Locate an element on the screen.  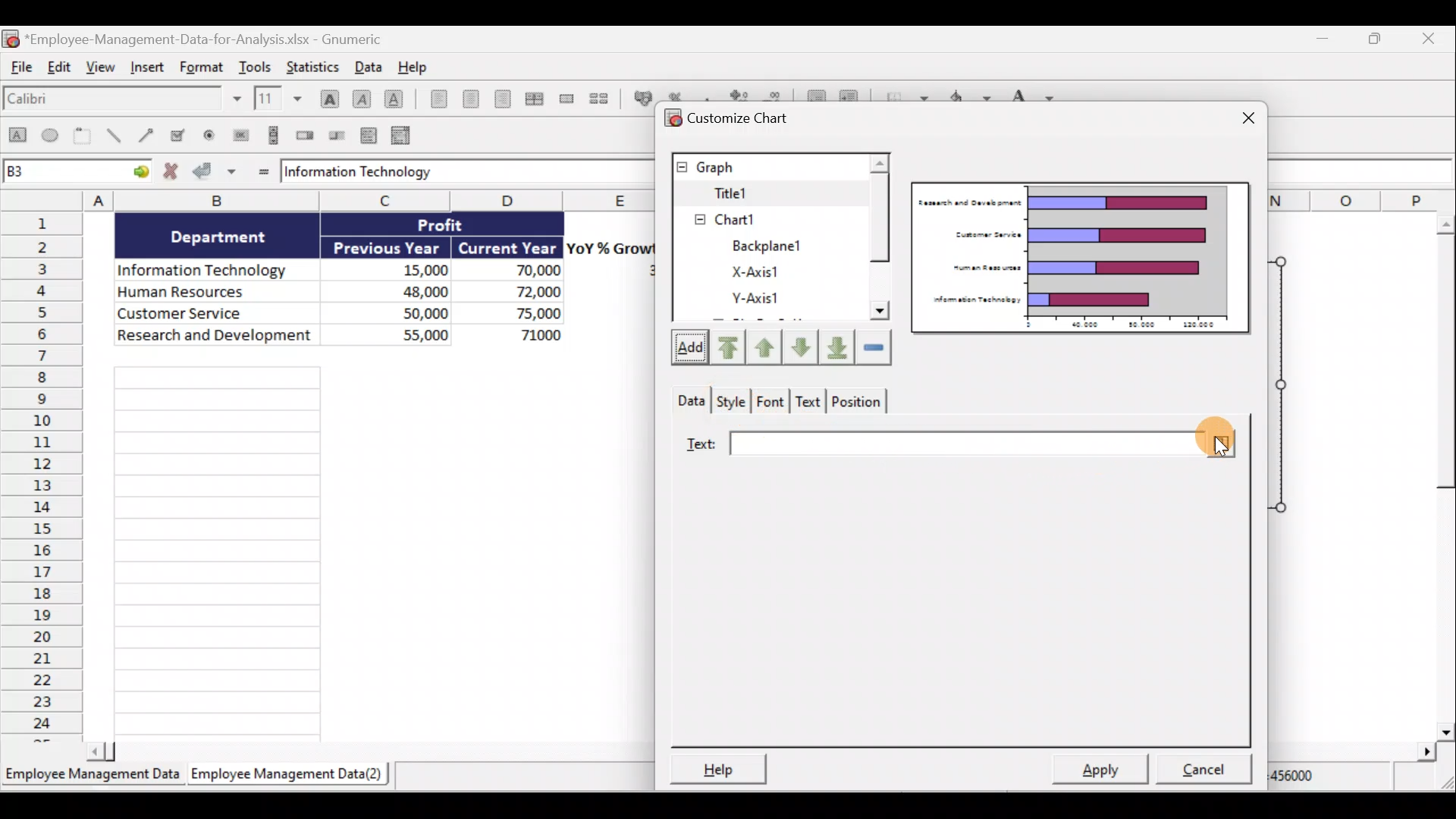
Create a rectangle object is located at coordinates (17, 139).